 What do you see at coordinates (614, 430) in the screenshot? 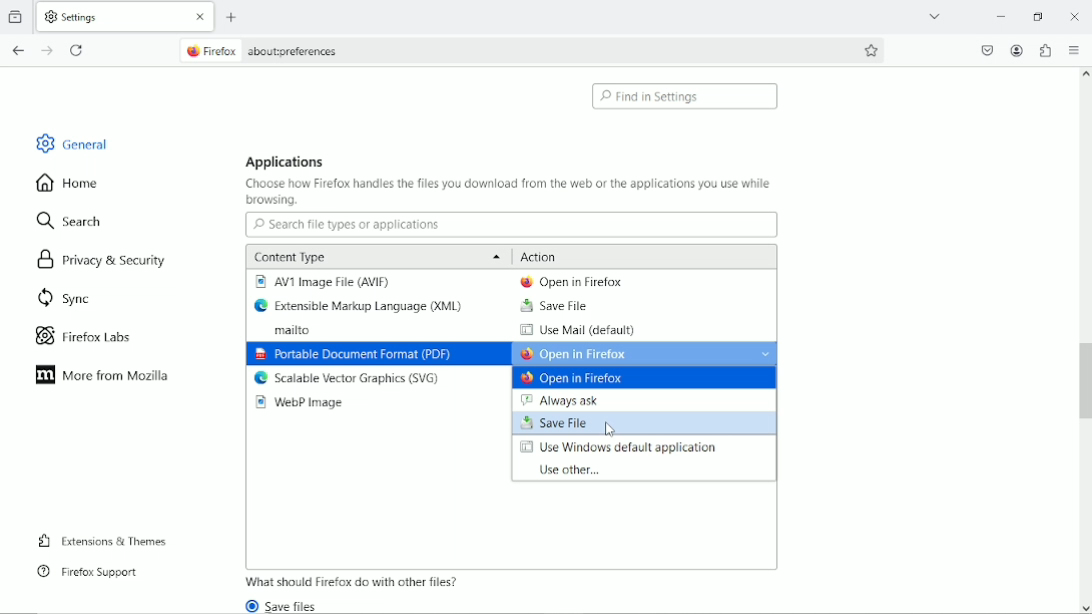
I see `Cursor` at bounding box center [614, 430].